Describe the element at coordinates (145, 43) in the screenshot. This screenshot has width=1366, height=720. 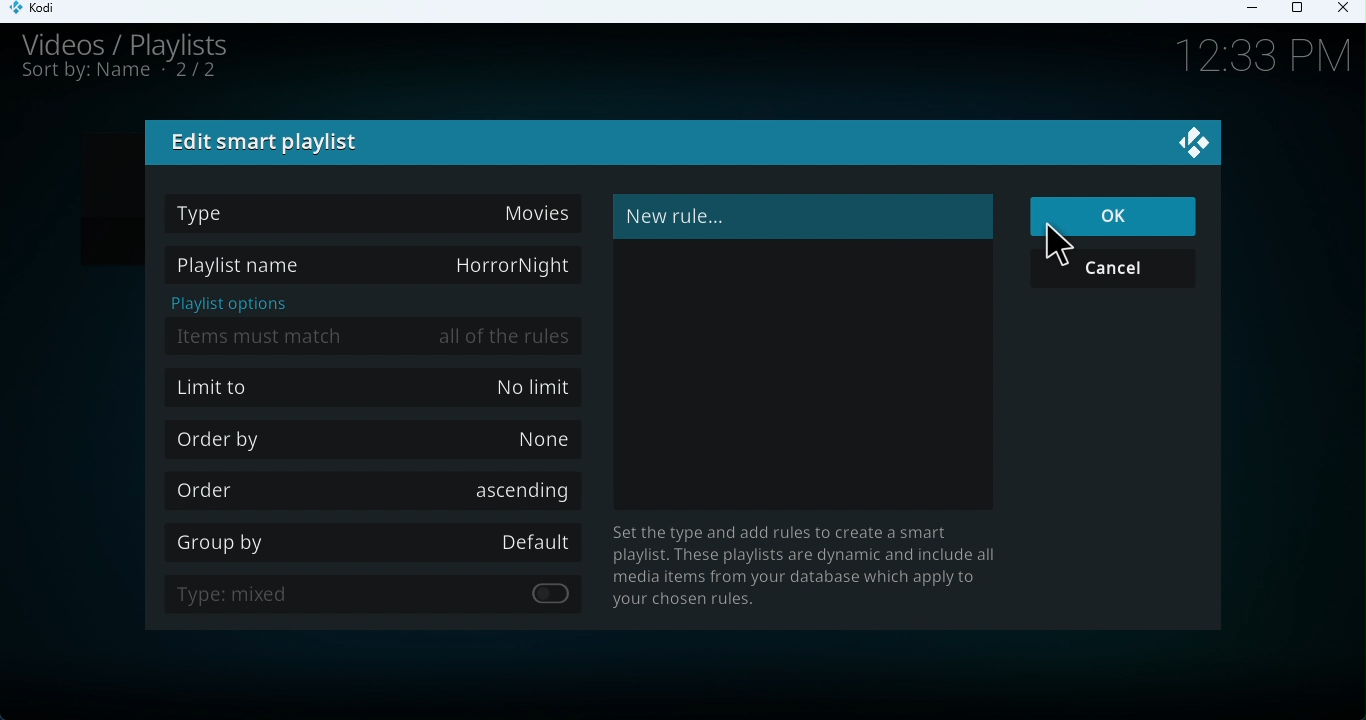
I see `Videos/playlists` at that location.